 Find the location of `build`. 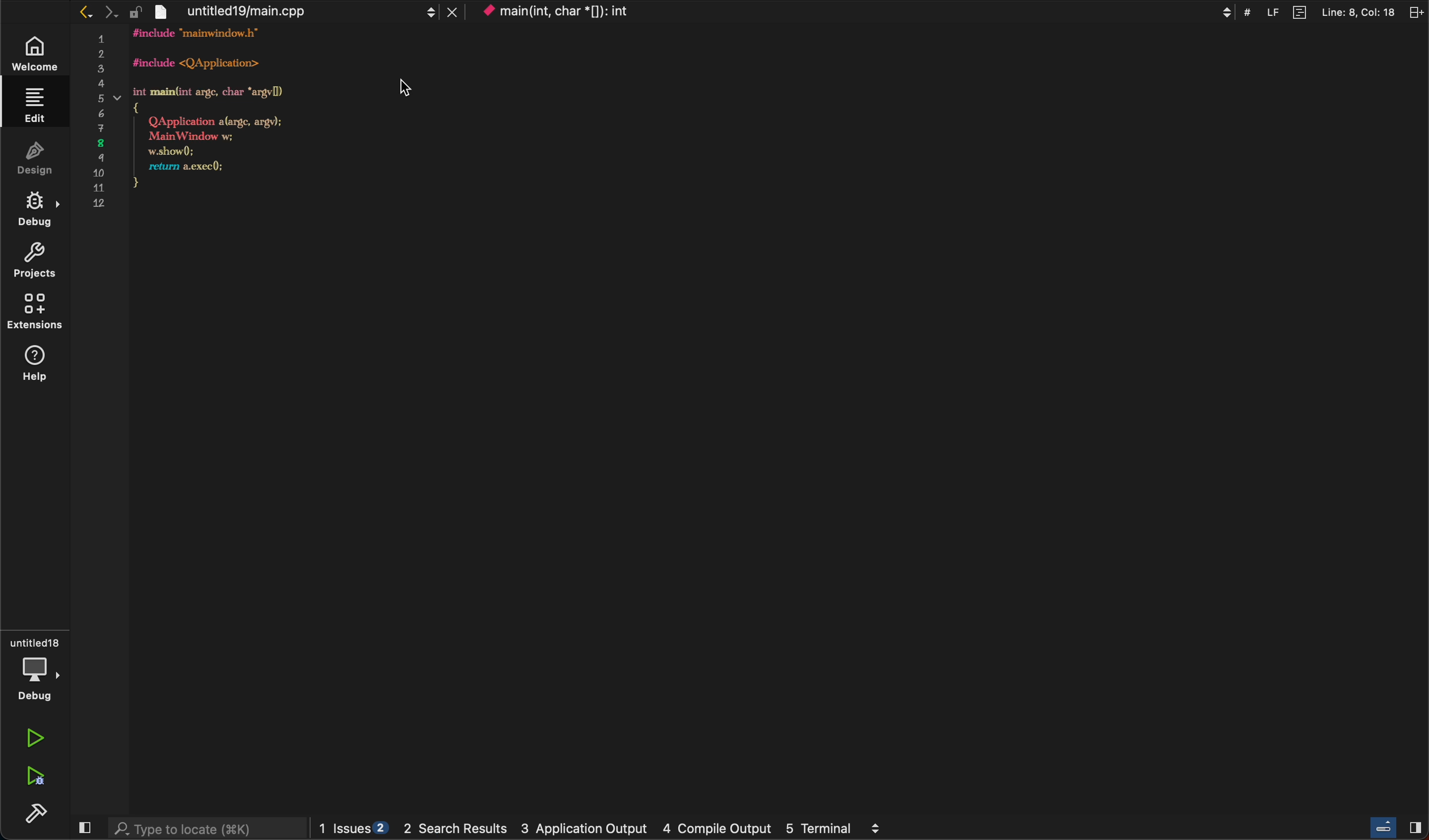

build is located at coordinates (37, 812).